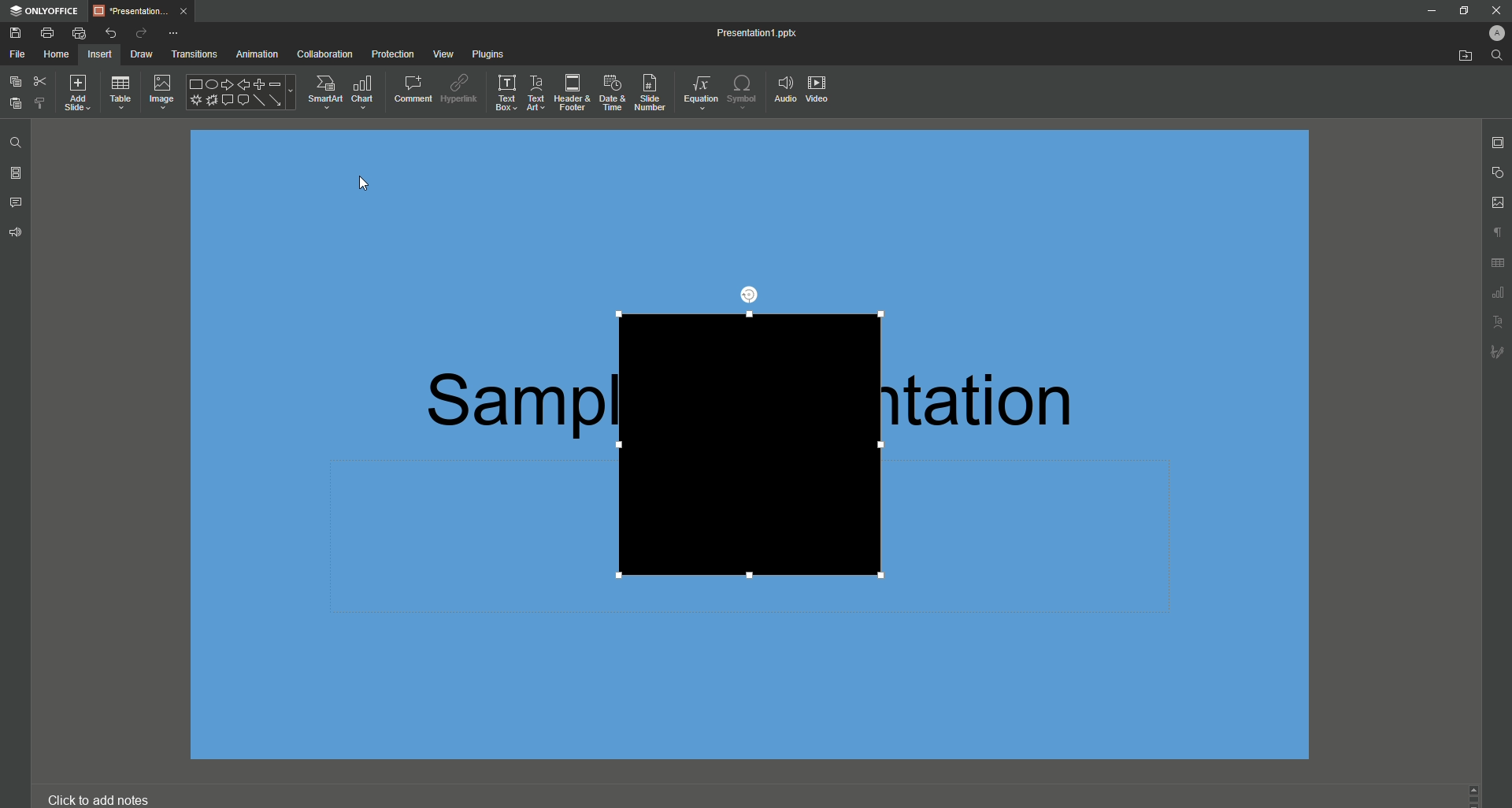  What do you see at coordinates (1458, 57) in the screenshot?
I see `Open From File` at bounding box center [1458, 57].